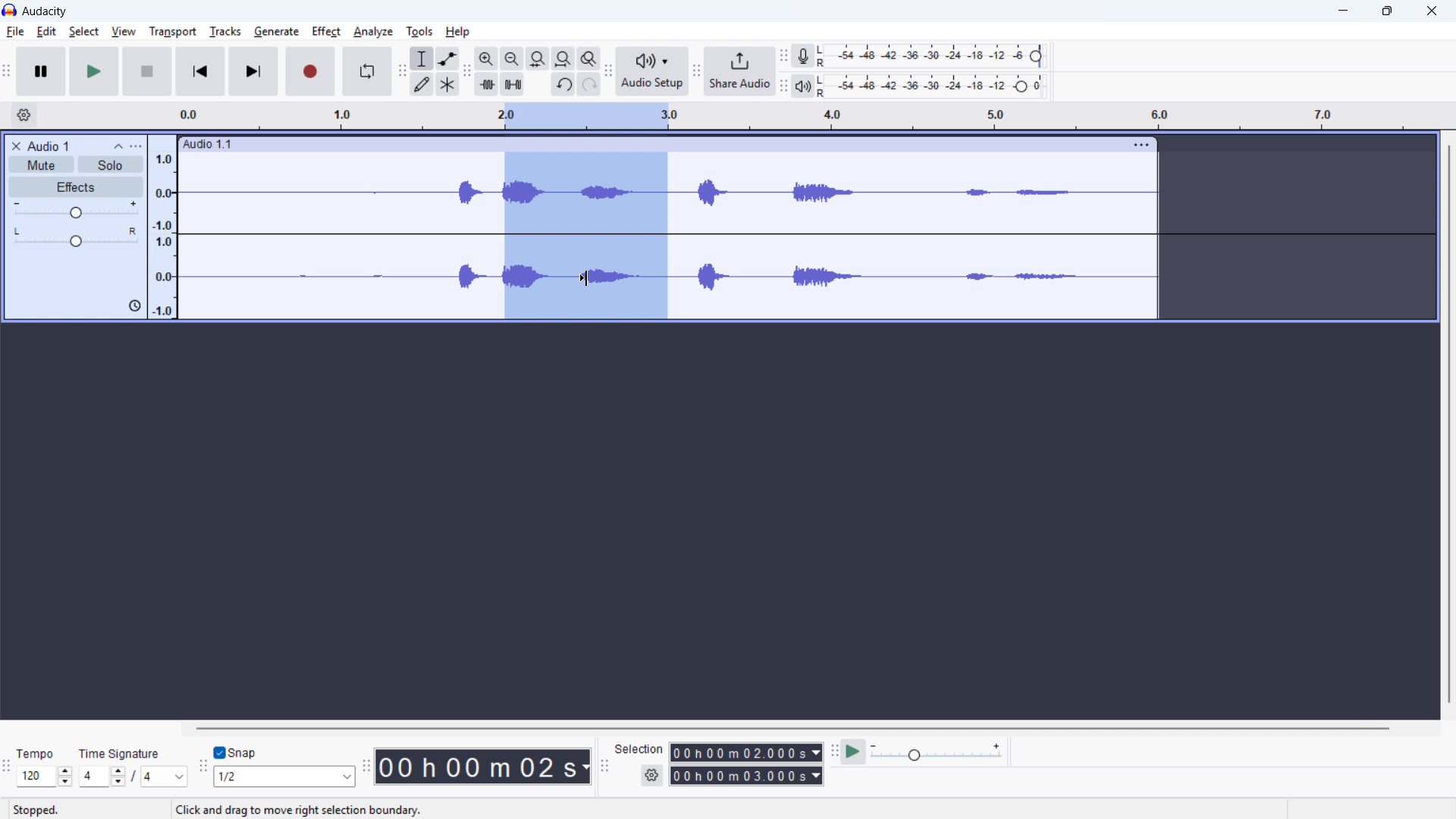 The height and width of the screenshot is (819, 1456). Describe the element at coordinates (275, 32) in the screenshot. I see `Generate` at that location.